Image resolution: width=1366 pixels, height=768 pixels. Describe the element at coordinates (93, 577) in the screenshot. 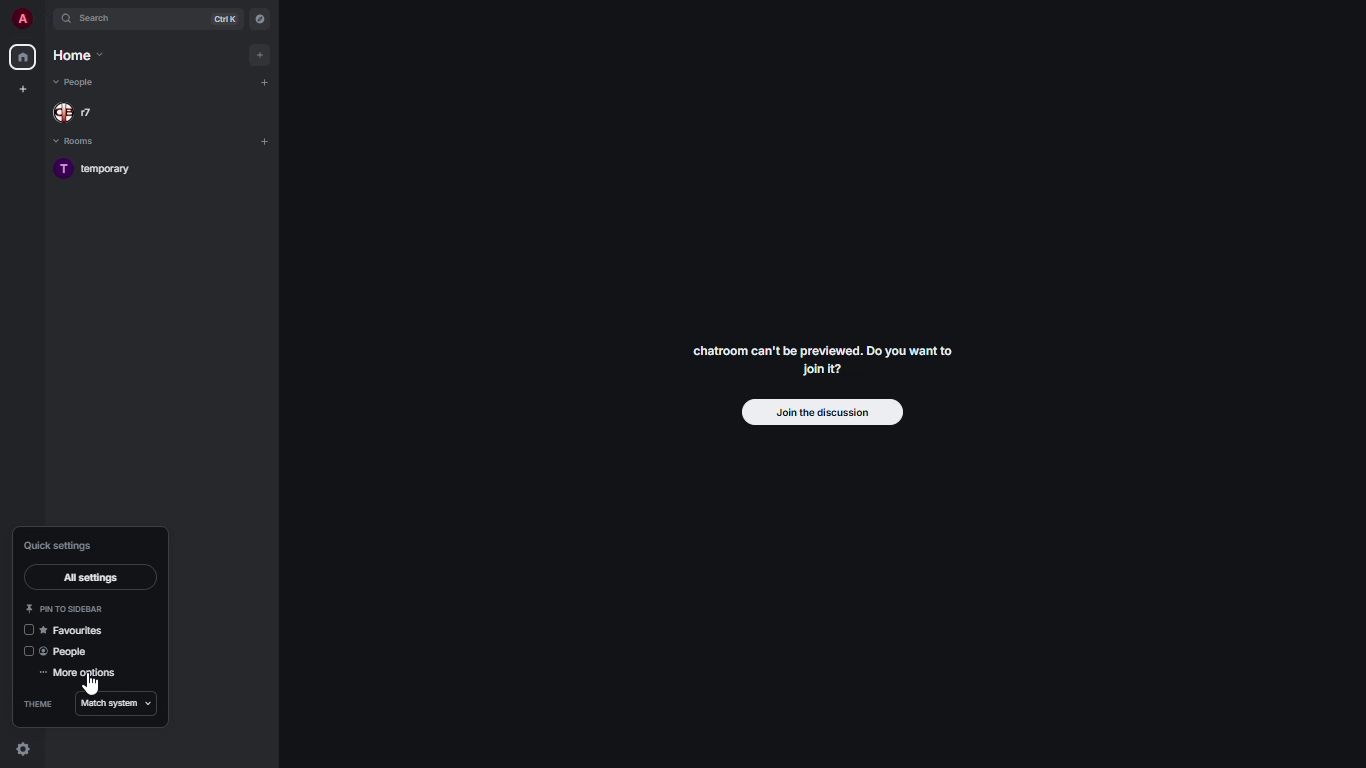

I see `all settings` at that location.